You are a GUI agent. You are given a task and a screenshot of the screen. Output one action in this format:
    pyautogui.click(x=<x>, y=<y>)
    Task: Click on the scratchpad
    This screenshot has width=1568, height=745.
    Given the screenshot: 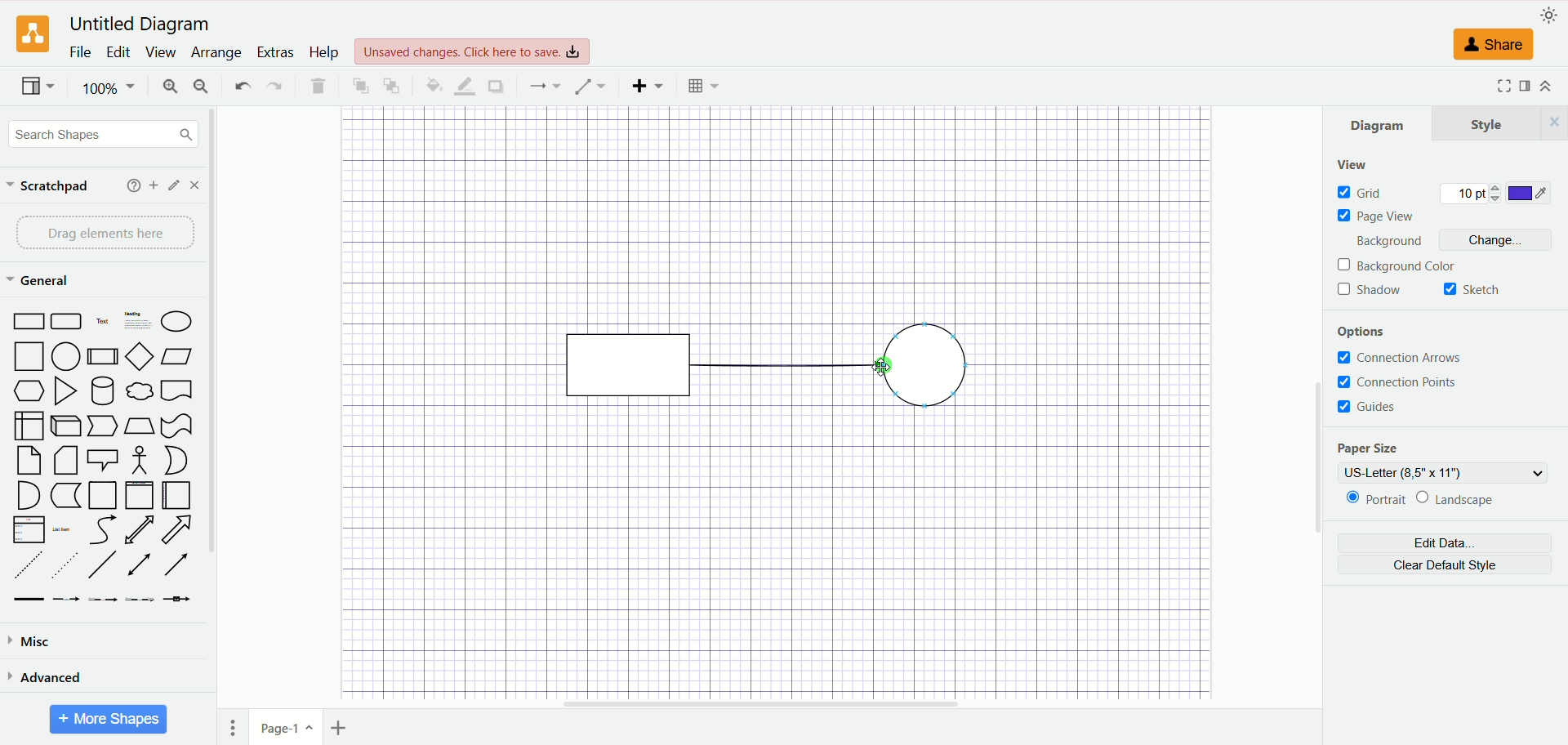 What is the action you would take?
    pyautogui.click(x=46, y=185)
    